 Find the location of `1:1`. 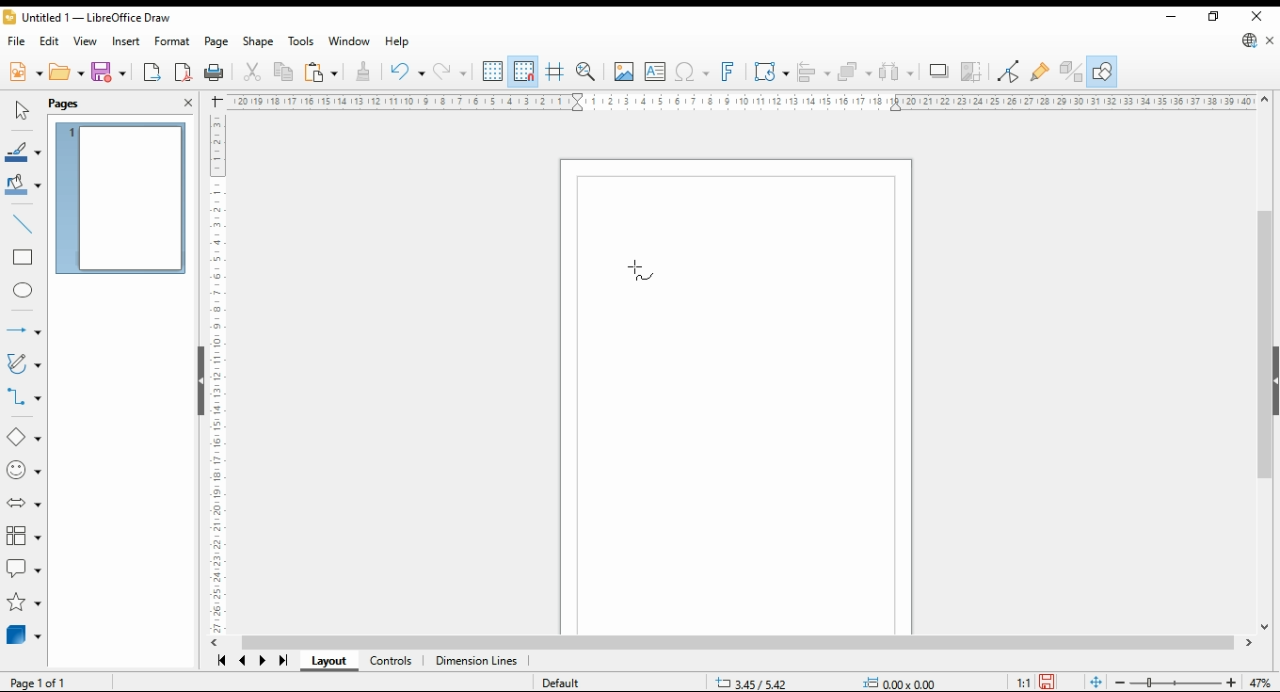

1:1 is located at coordinates (1022, 682).